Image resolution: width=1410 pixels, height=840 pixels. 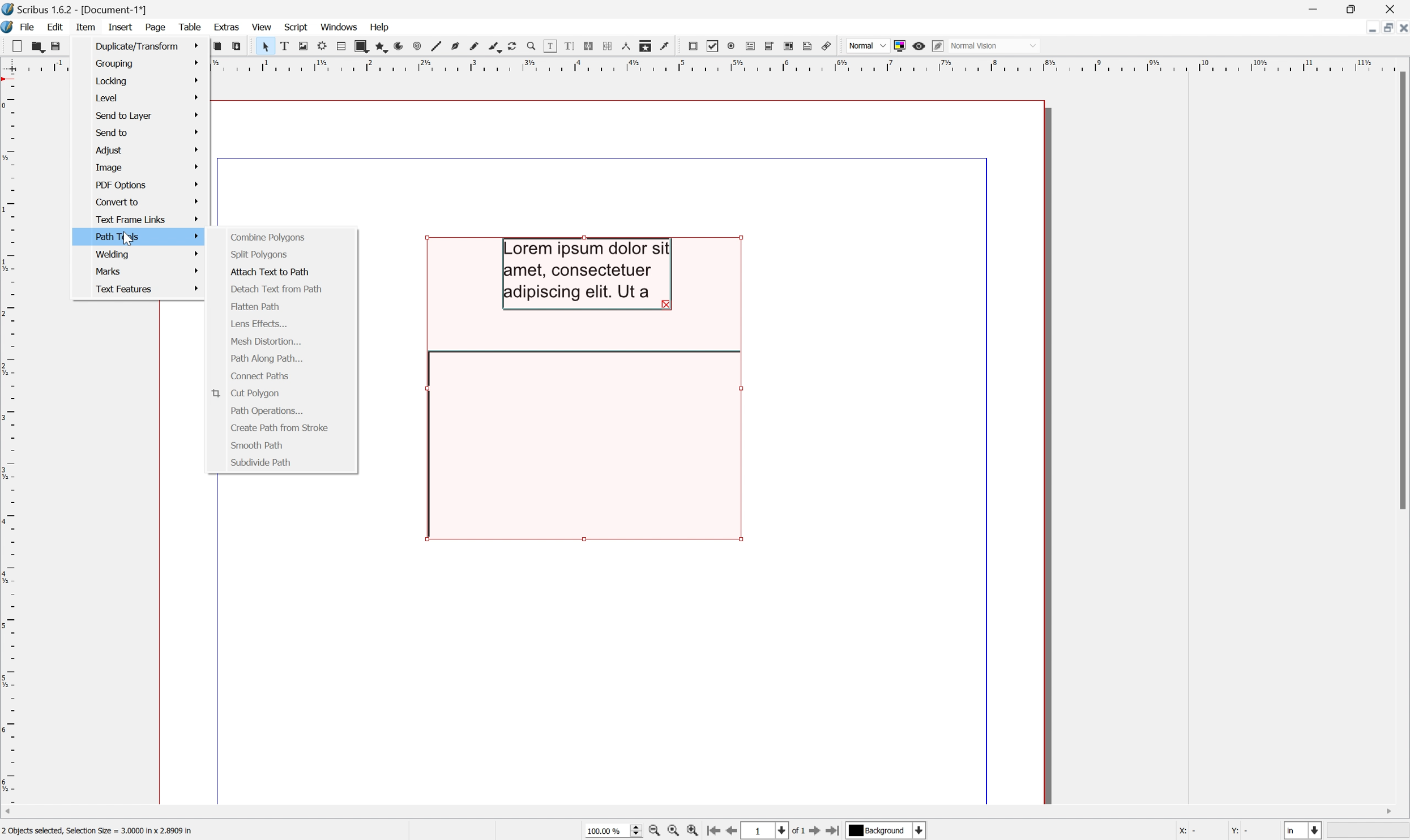 What do you see at coordinates (84, 26) in the screenshot?
I see `Item` at bounding box center [84, 26].